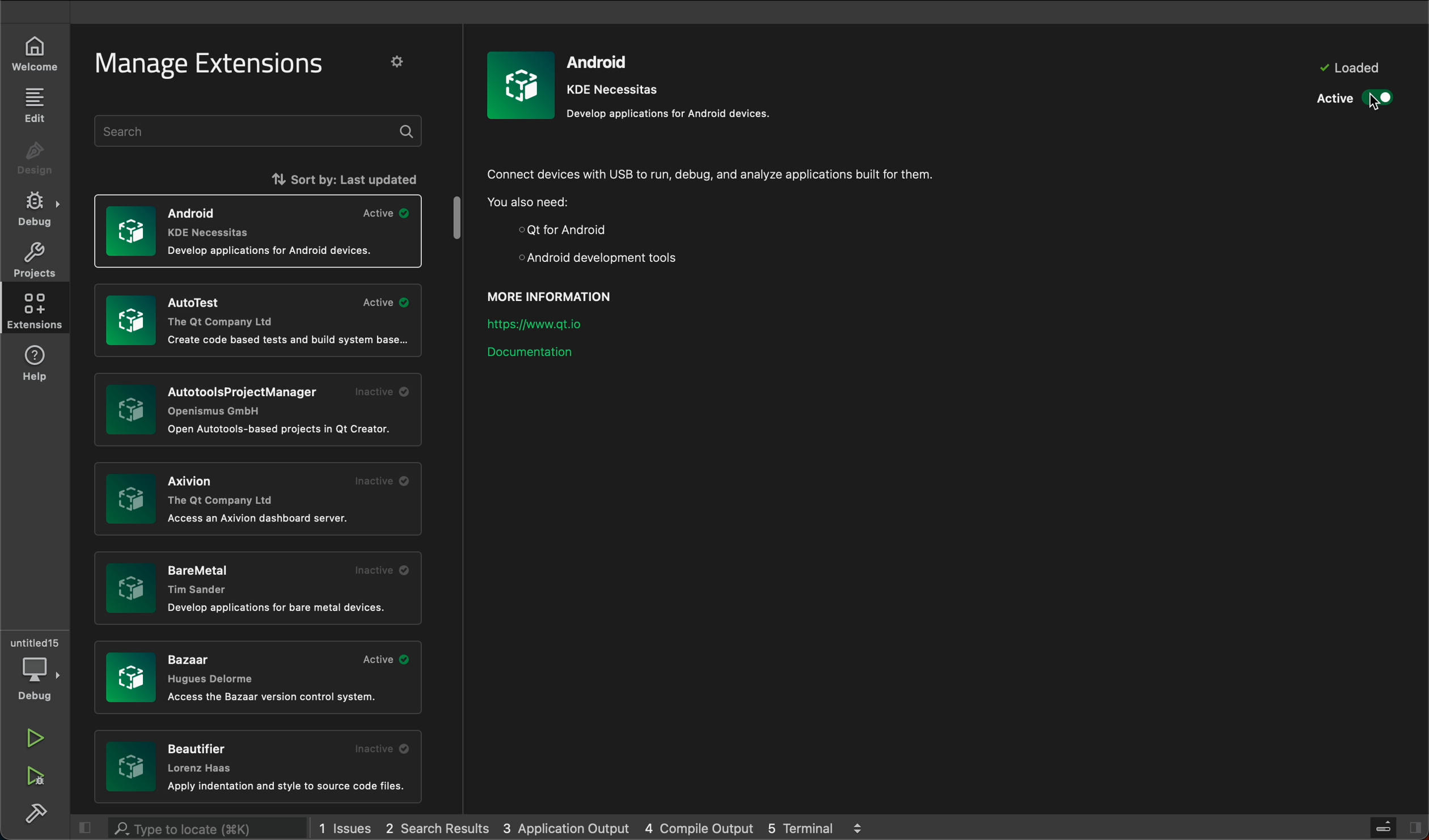 The width and height of the screenshot is (1429, 840). What do you see at coordinates (257, 322) in the screenshot?
I see `extensions list` at bounding box center [257, 322].